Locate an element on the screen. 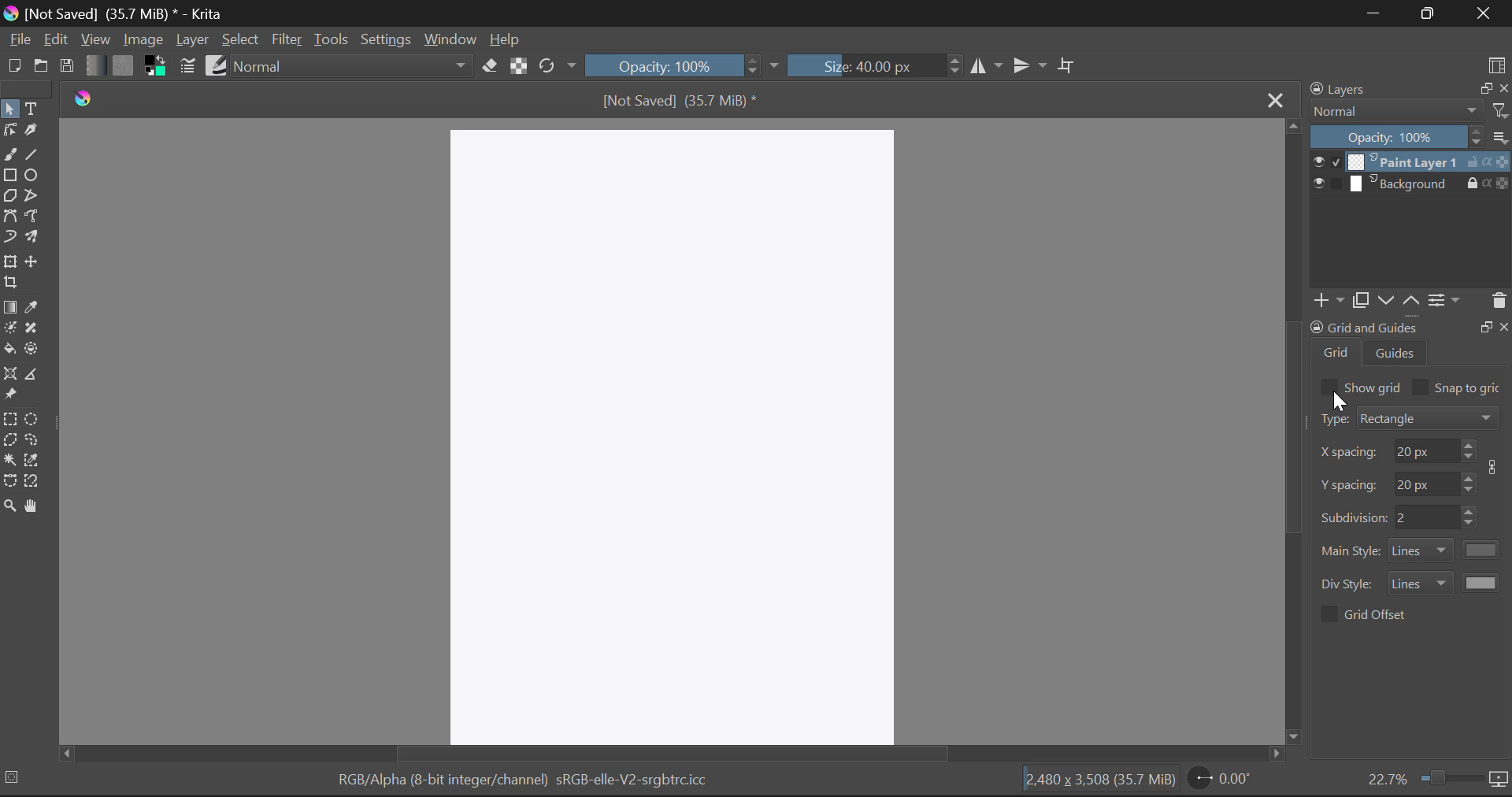 The height and width of the screenshot is (797, 1512). [Not Saved] (35.7 MiB) * - Krita is located at coordinates (115, 13).